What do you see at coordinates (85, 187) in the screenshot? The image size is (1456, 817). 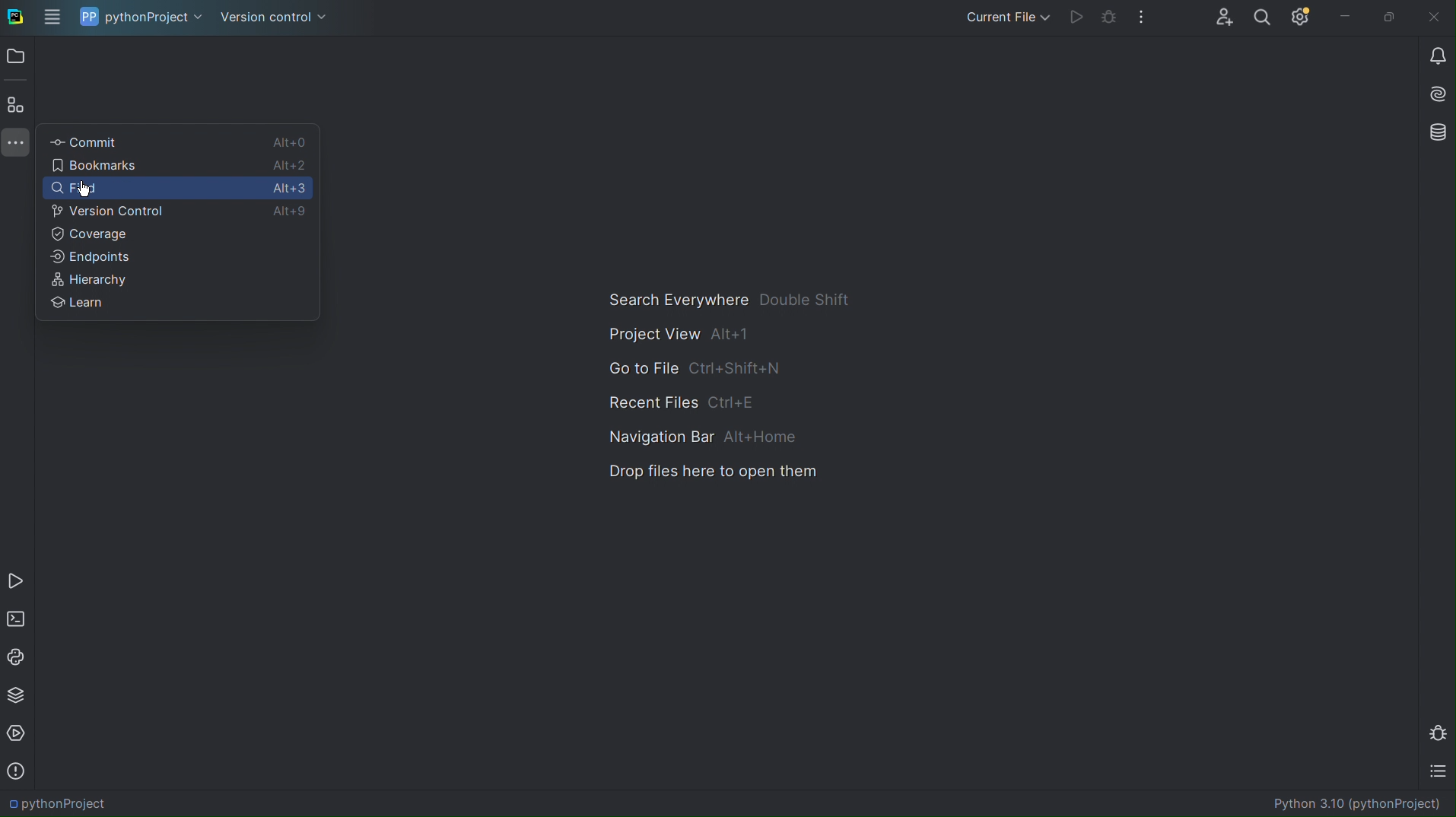 I see `cursor` at bounding box center [85, 187].